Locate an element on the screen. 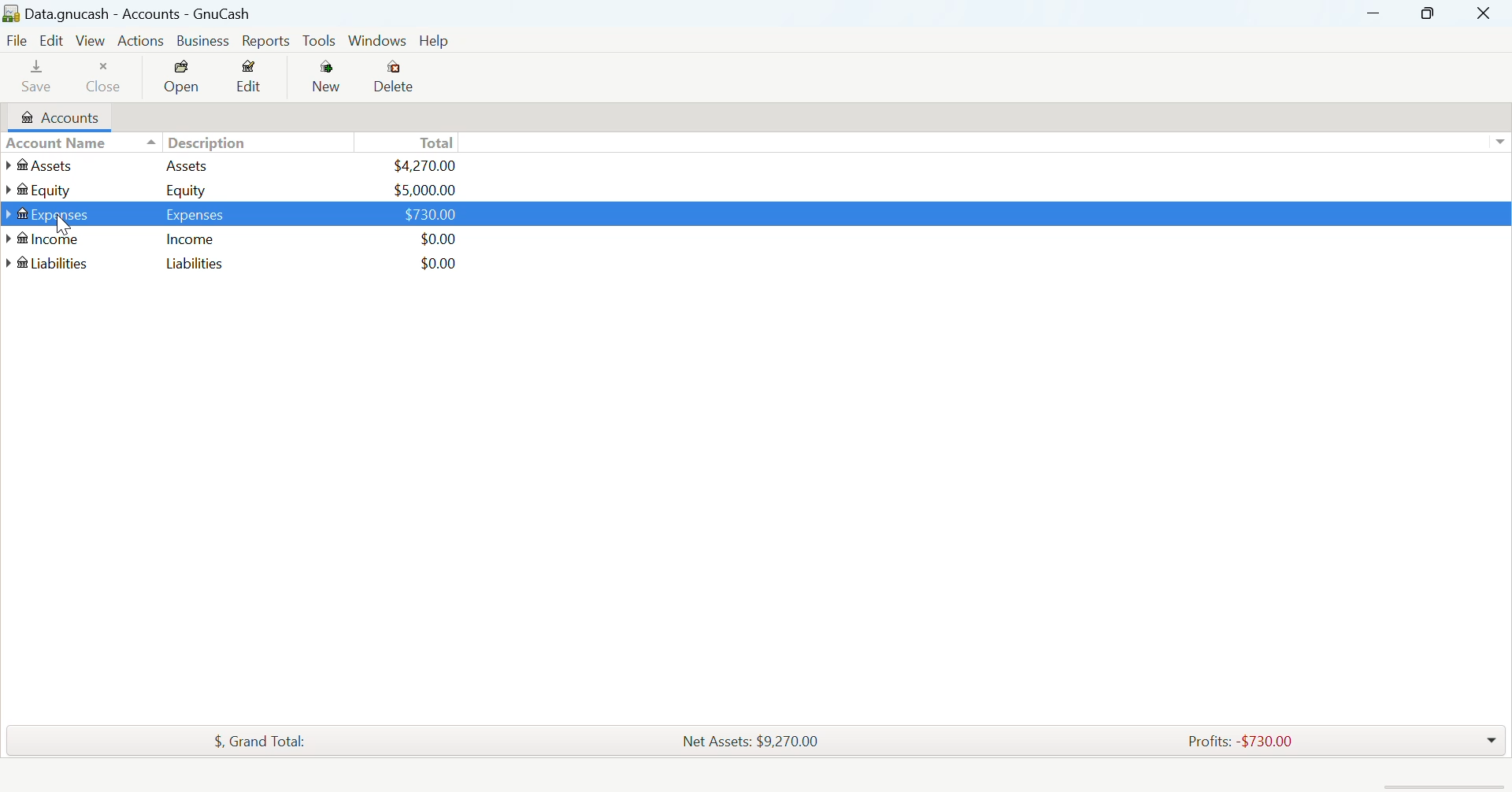 Image resolution: width=1512 pixels, height=792 pixels. Reports is located at coordinates (265, 40).